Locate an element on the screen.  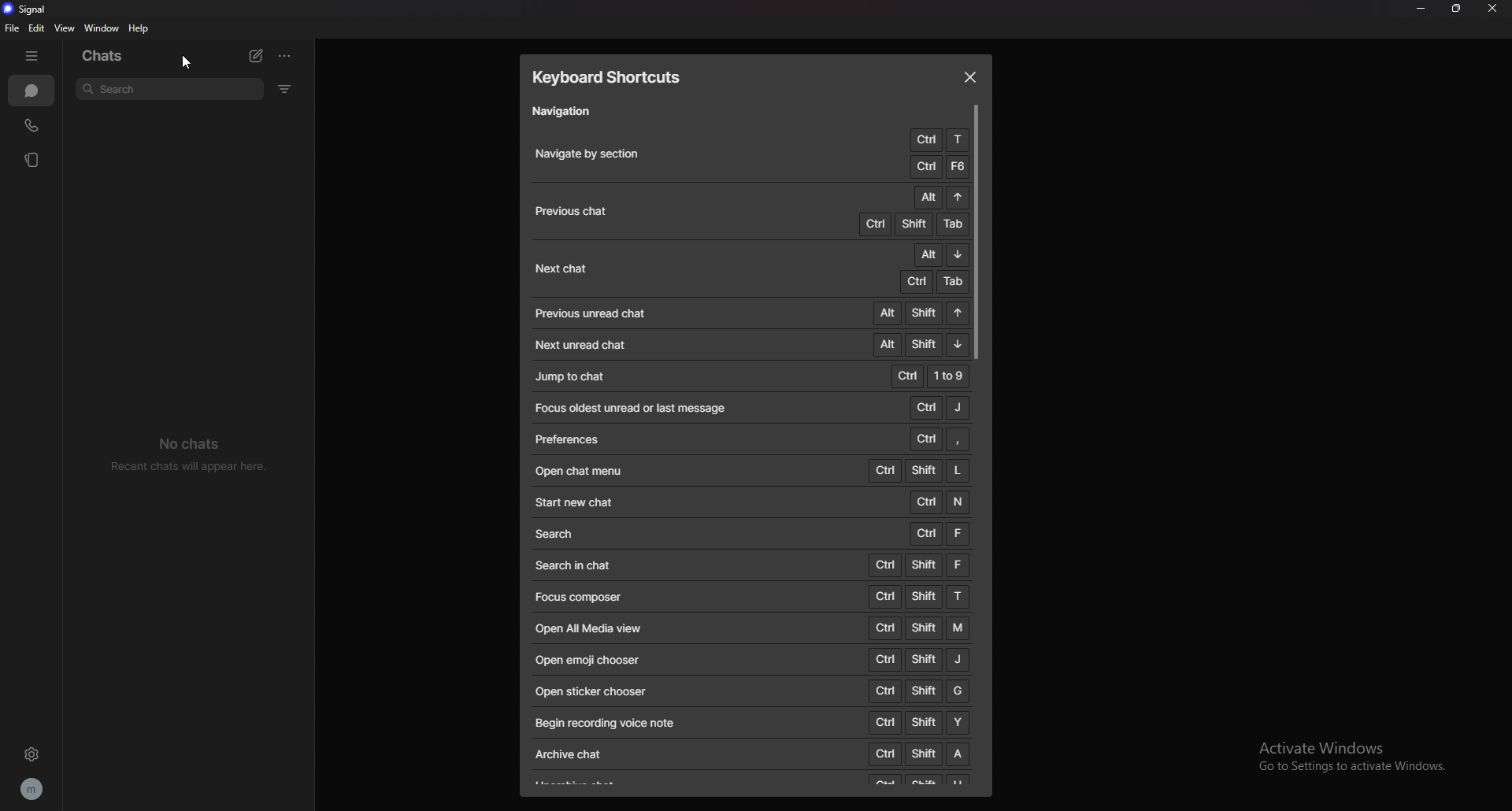
help is located at coordinates (139, 28).